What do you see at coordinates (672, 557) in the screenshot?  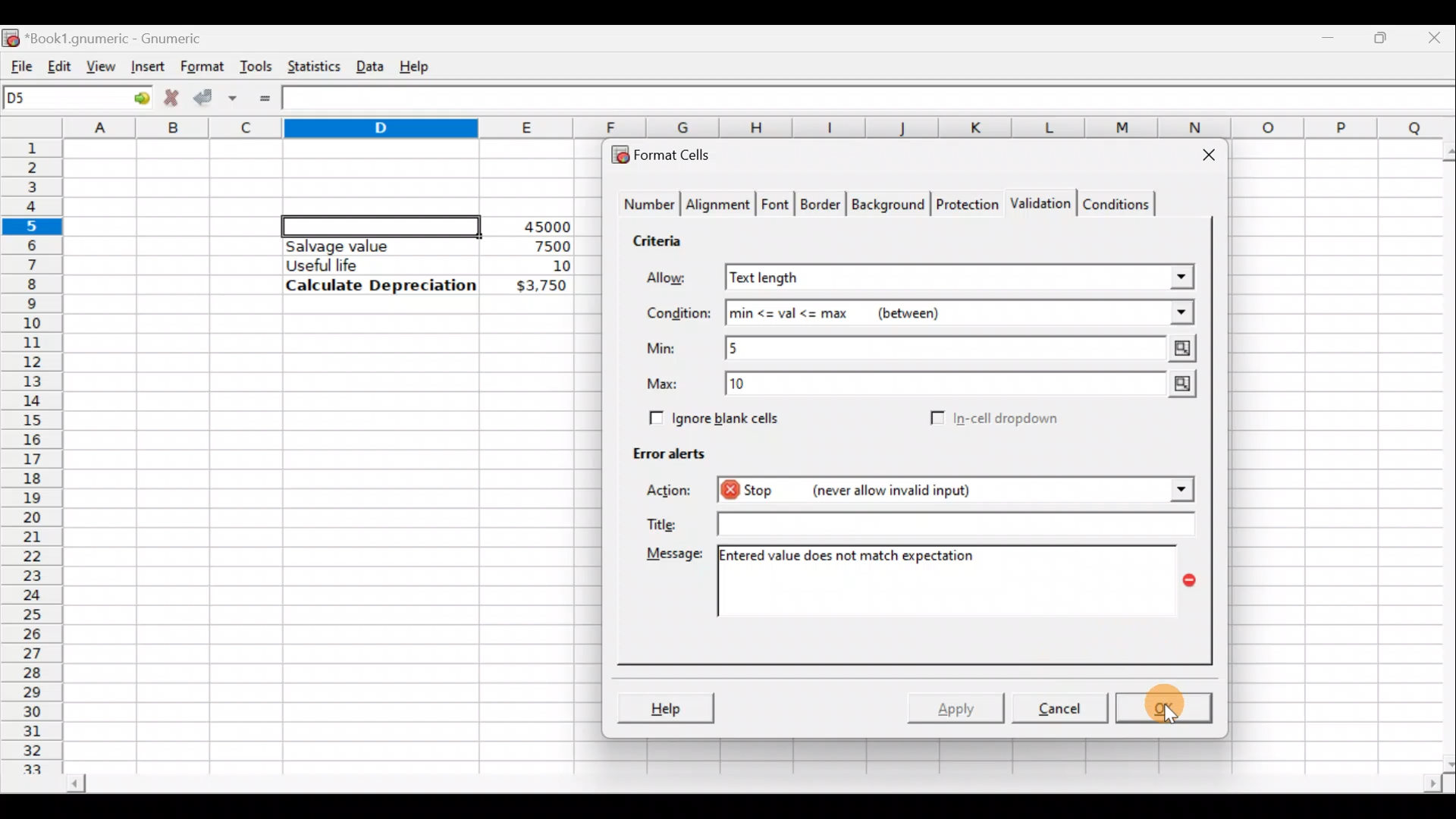 I see `Message` at bounding box center [672, 557].